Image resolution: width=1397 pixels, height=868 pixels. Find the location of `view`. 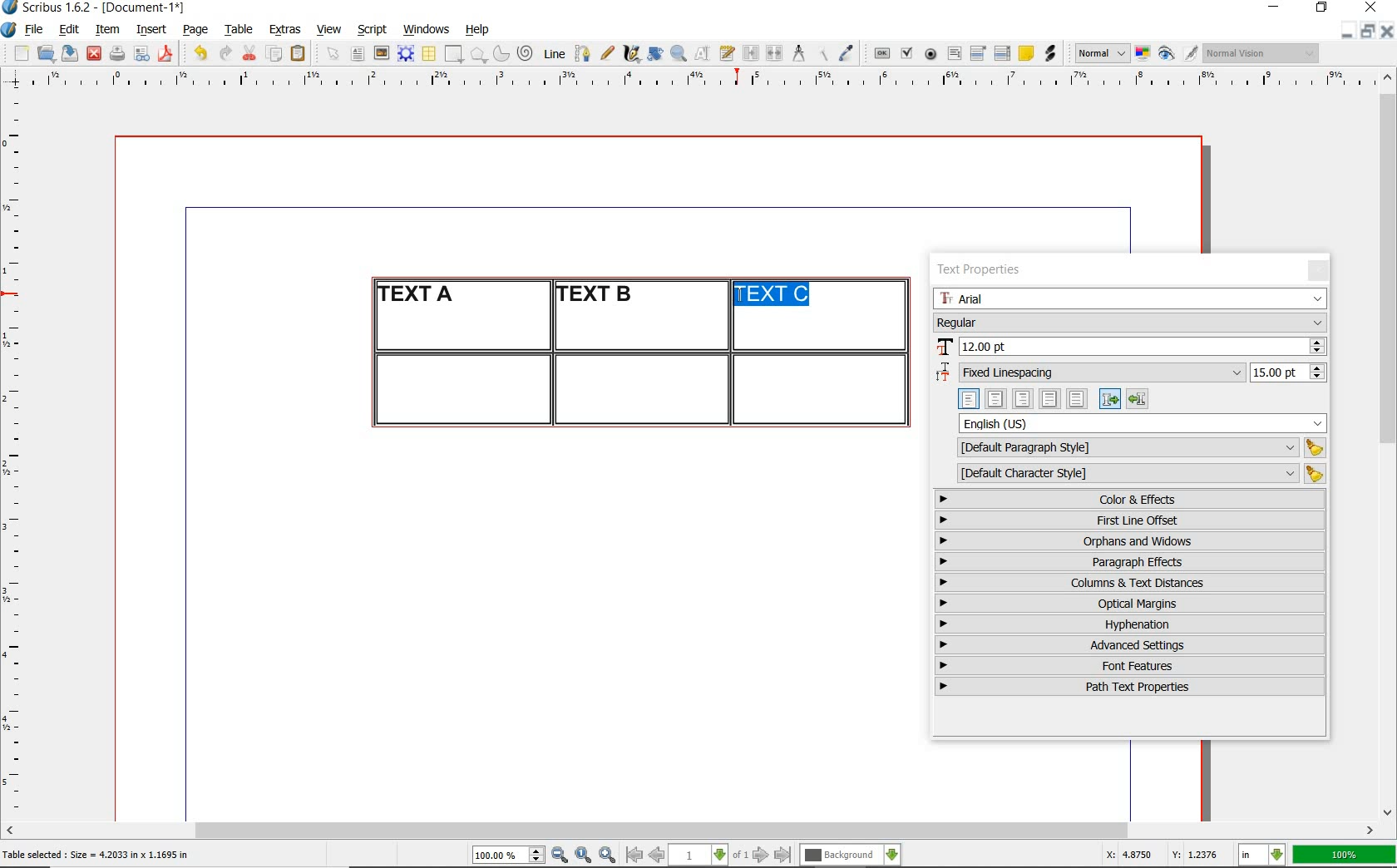

view is located at coordinates (329, 29).